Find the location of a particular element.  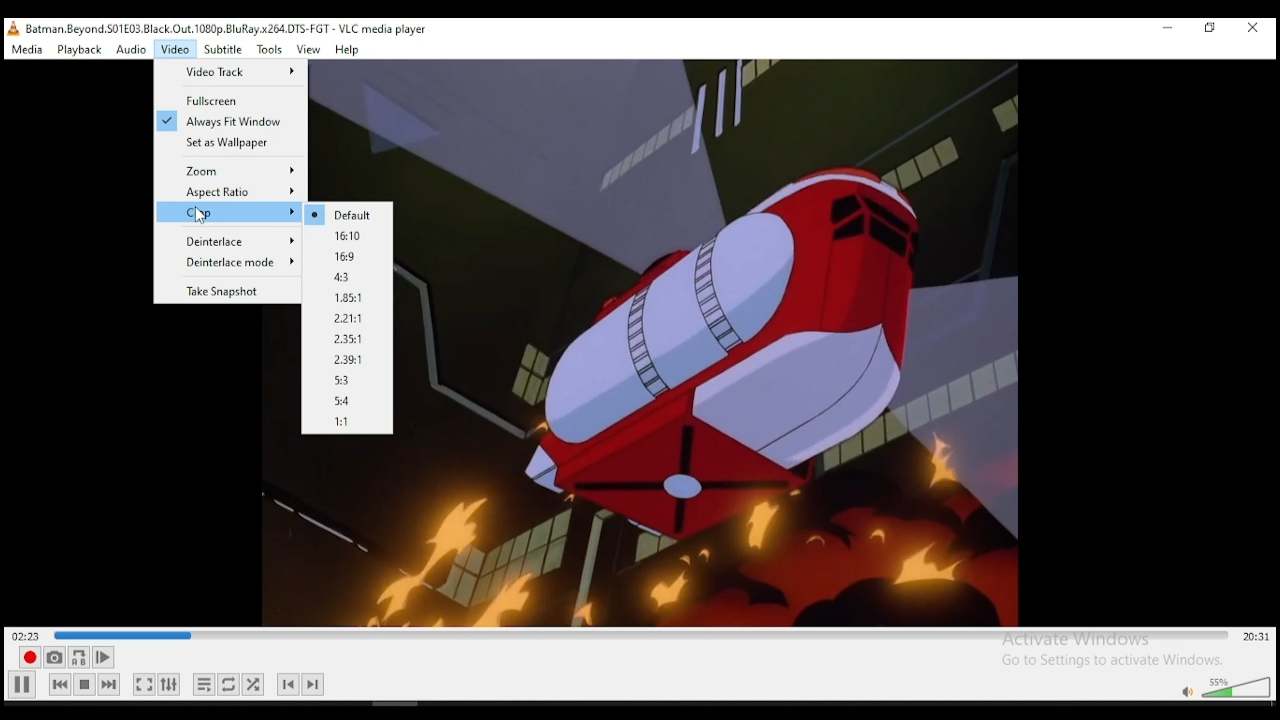

Default is located at coordinates (351, 214).